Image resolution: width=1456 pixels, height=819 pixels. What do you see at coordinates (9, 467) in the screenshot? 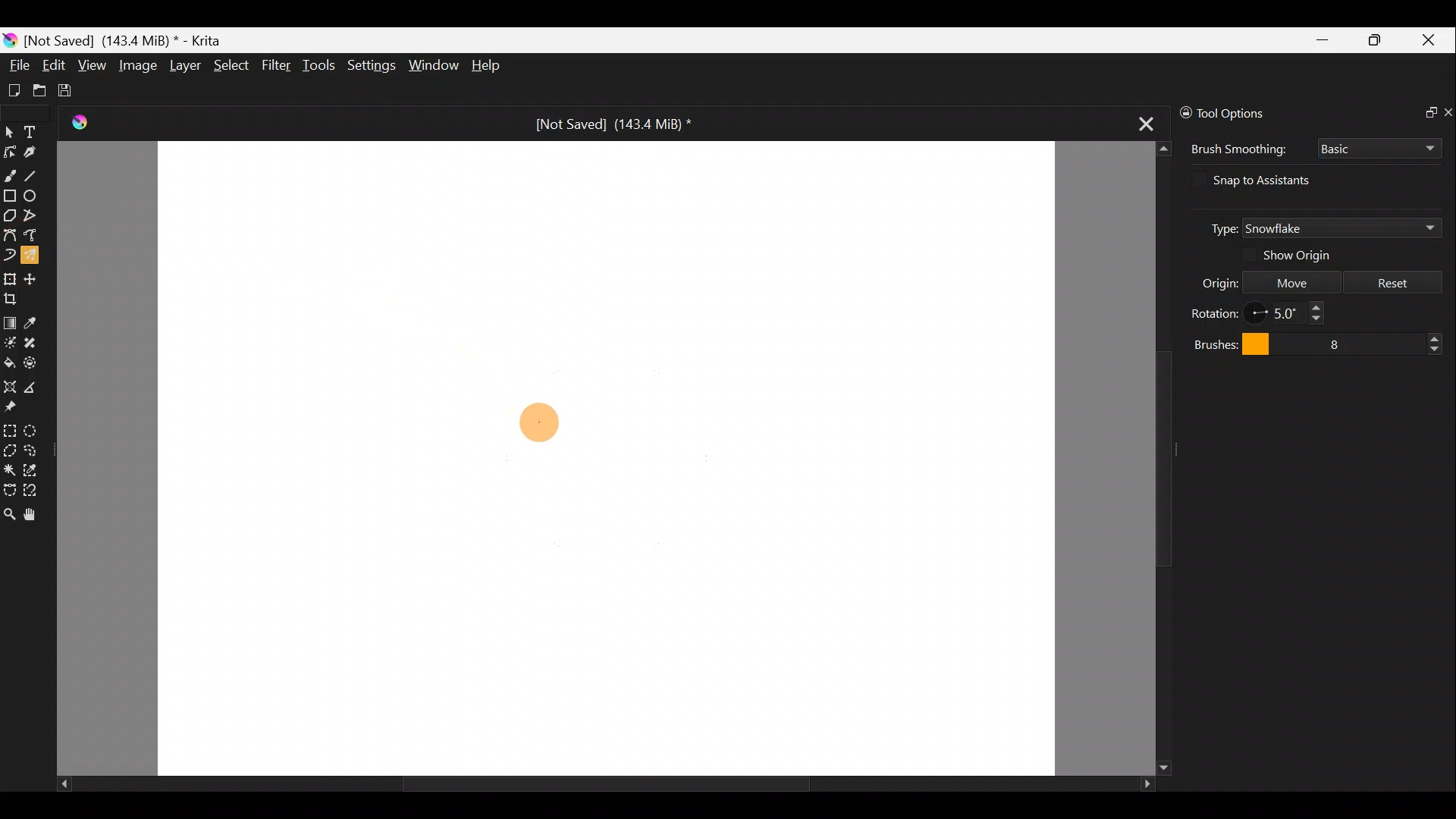
I see `Contiguous selection tool` at bounding box center [9, 467].